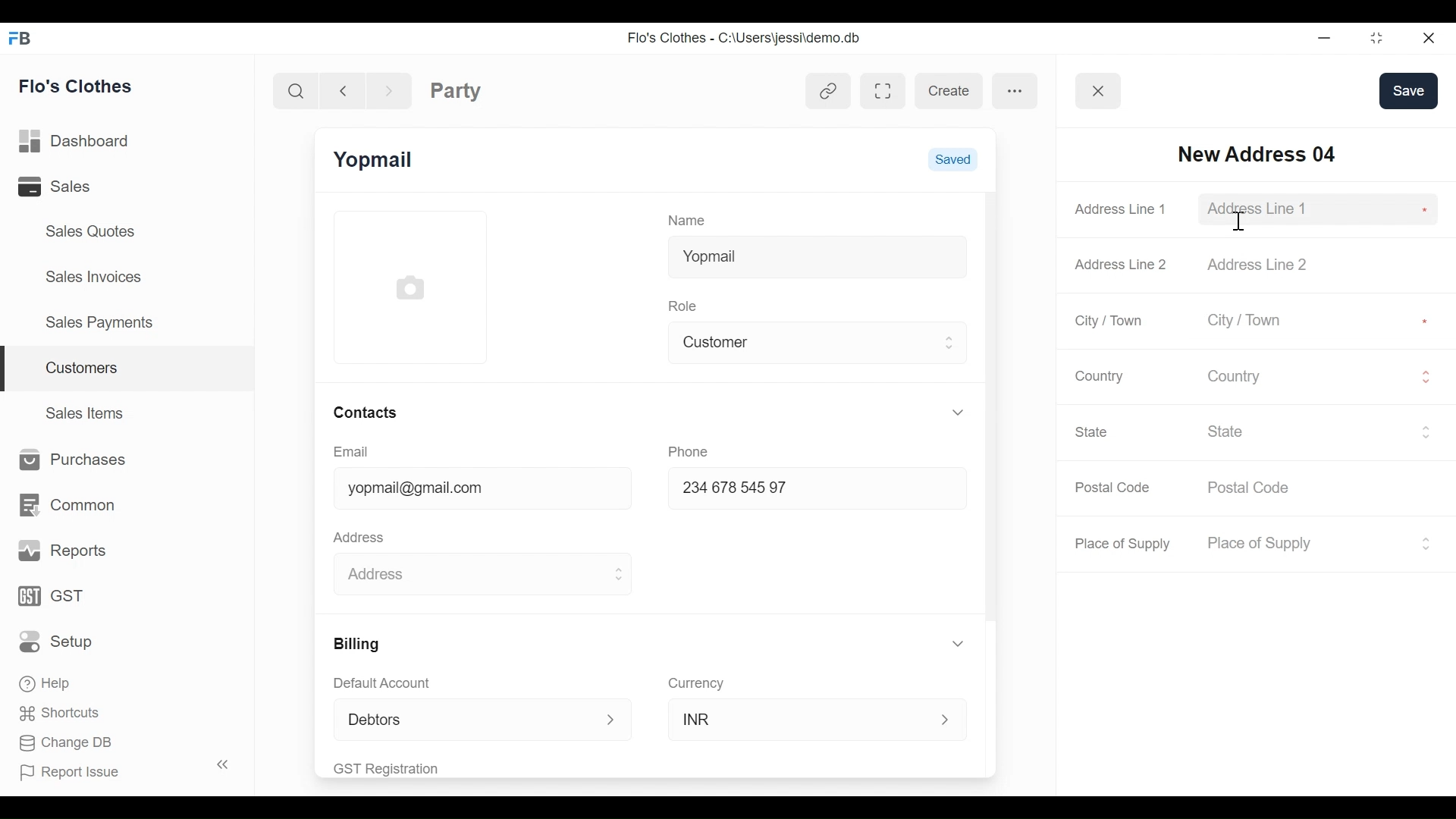 The height and width of the screenshot is (819, 1456). What do you see at coordinates (469, 490) in the screenshot?
I see `yopmail@gmail.com` at bounding box center [469, 490].